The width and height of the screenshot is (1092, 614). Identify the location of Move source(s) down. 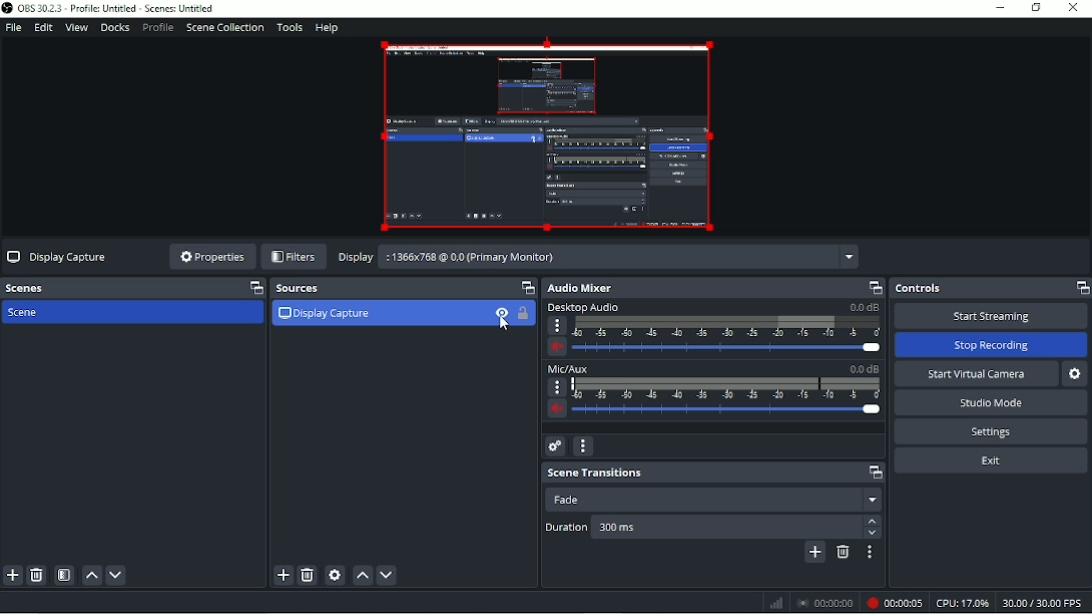
(387, 576).